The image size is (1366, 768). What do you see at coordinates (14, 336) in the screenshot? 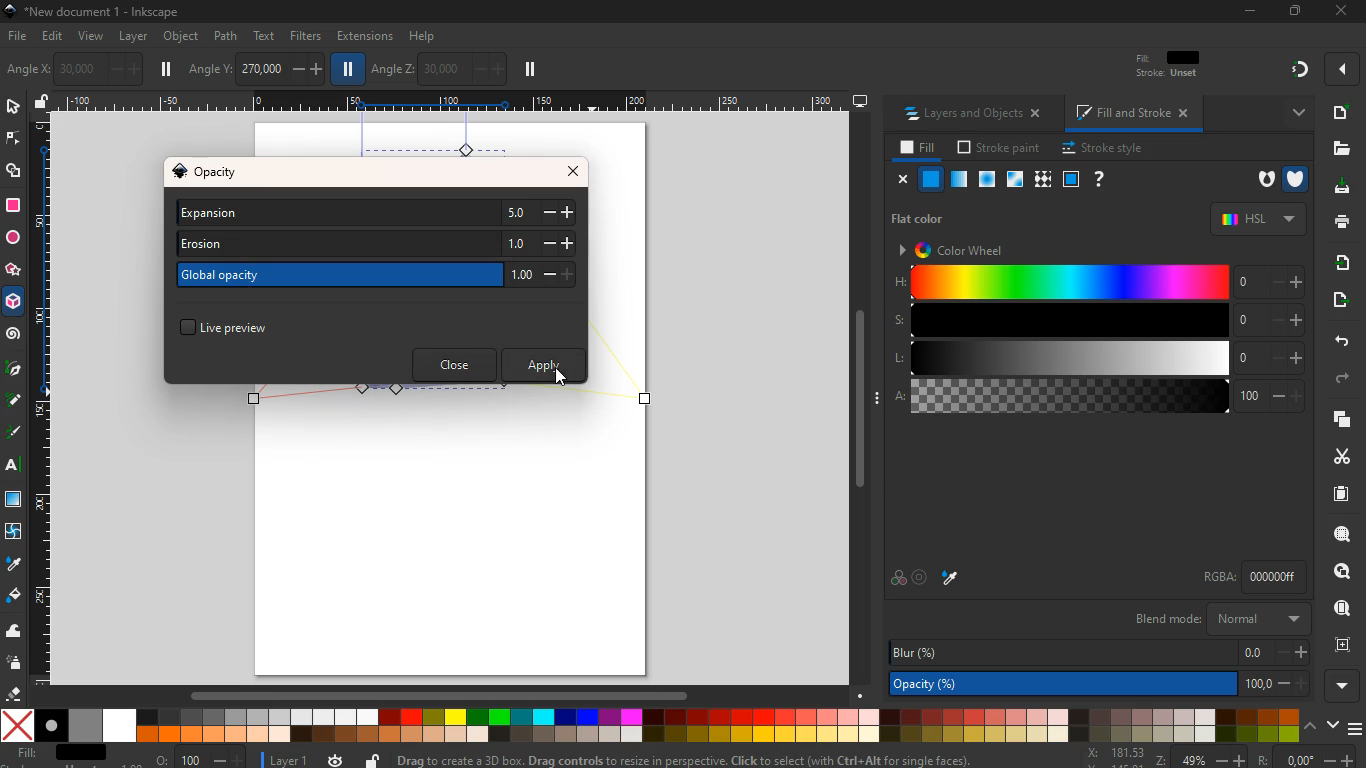
I see `spiral` at bounding box center [14, 336].